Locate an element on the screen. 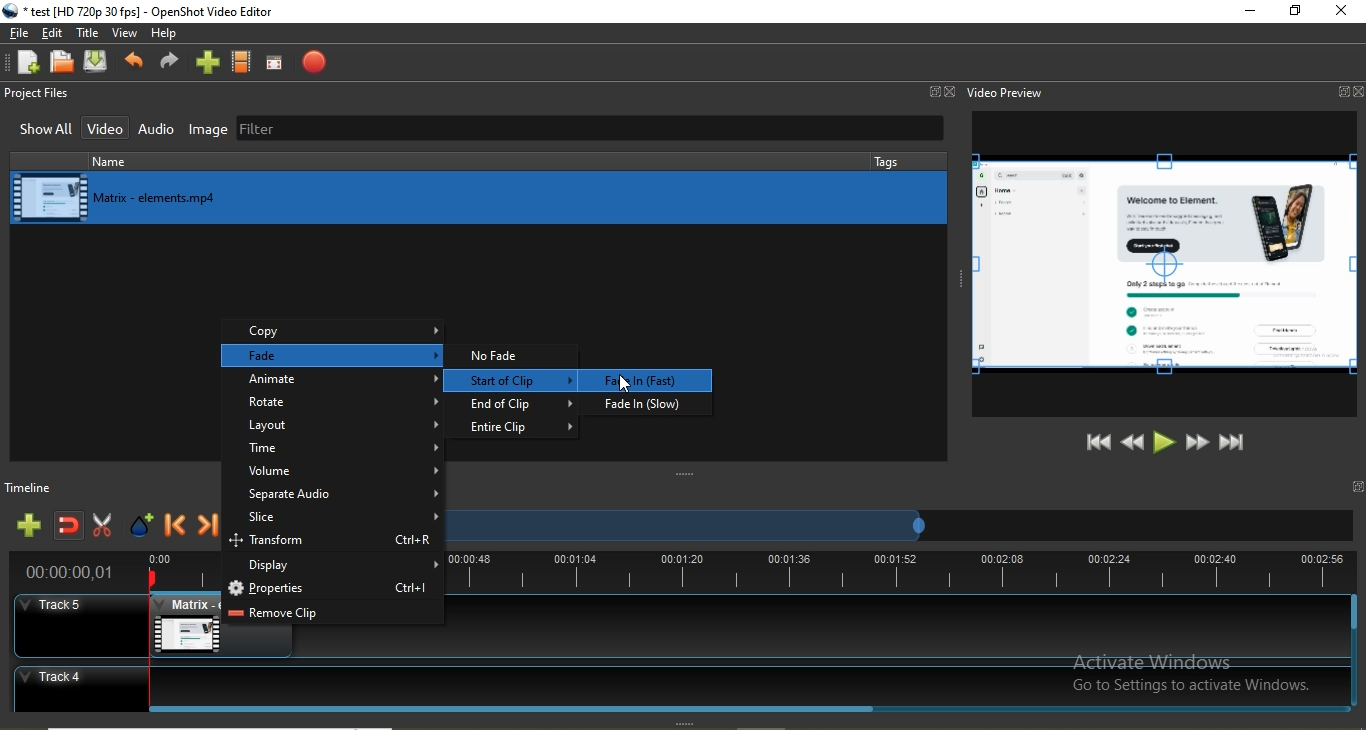 The image size is (1366, 730). Save project  is located at coordinates (100, 63).